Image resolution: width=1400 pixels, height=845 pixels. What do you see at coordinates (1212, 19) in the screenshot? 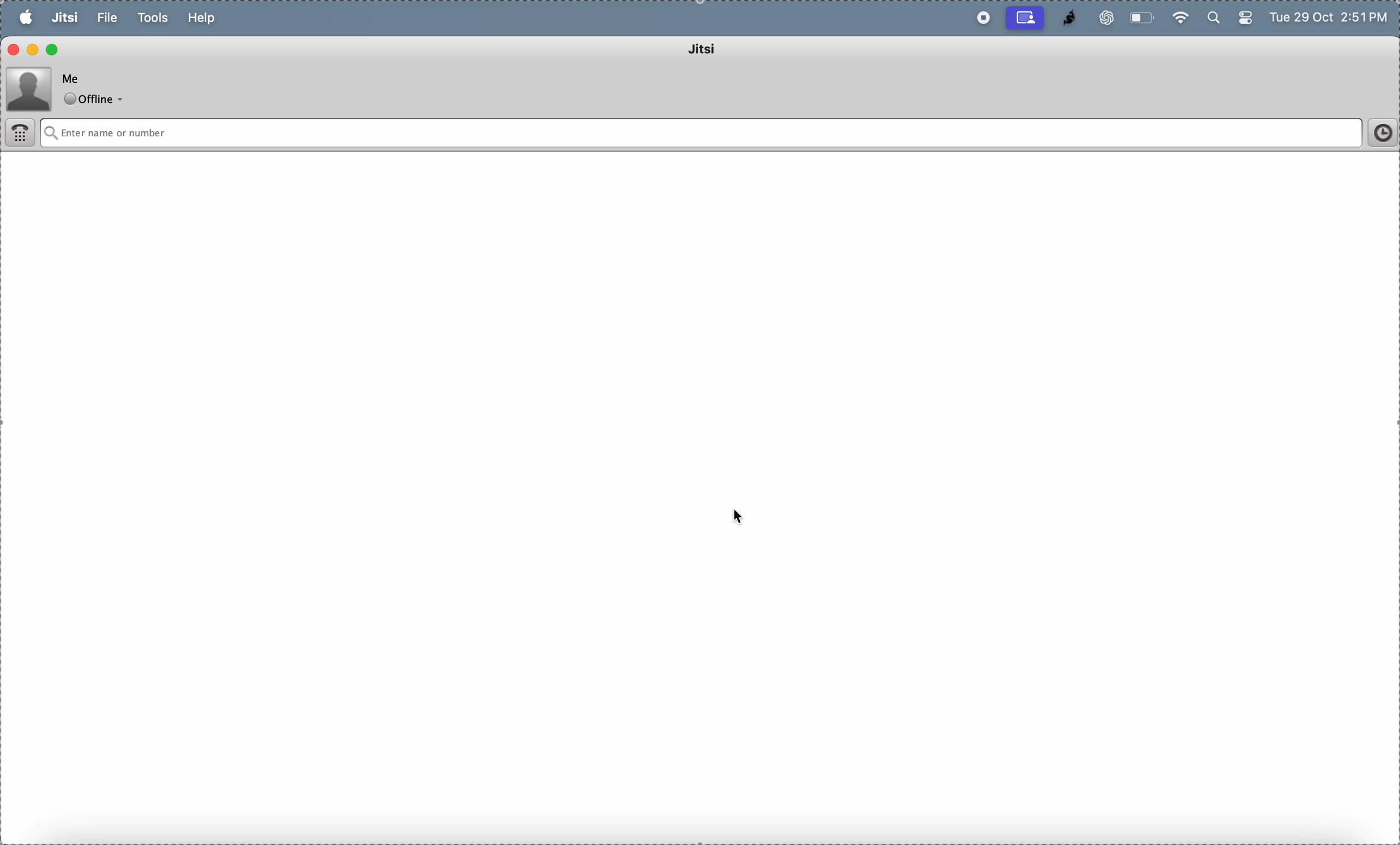
I see `search` at bounding box center [1212, 19].